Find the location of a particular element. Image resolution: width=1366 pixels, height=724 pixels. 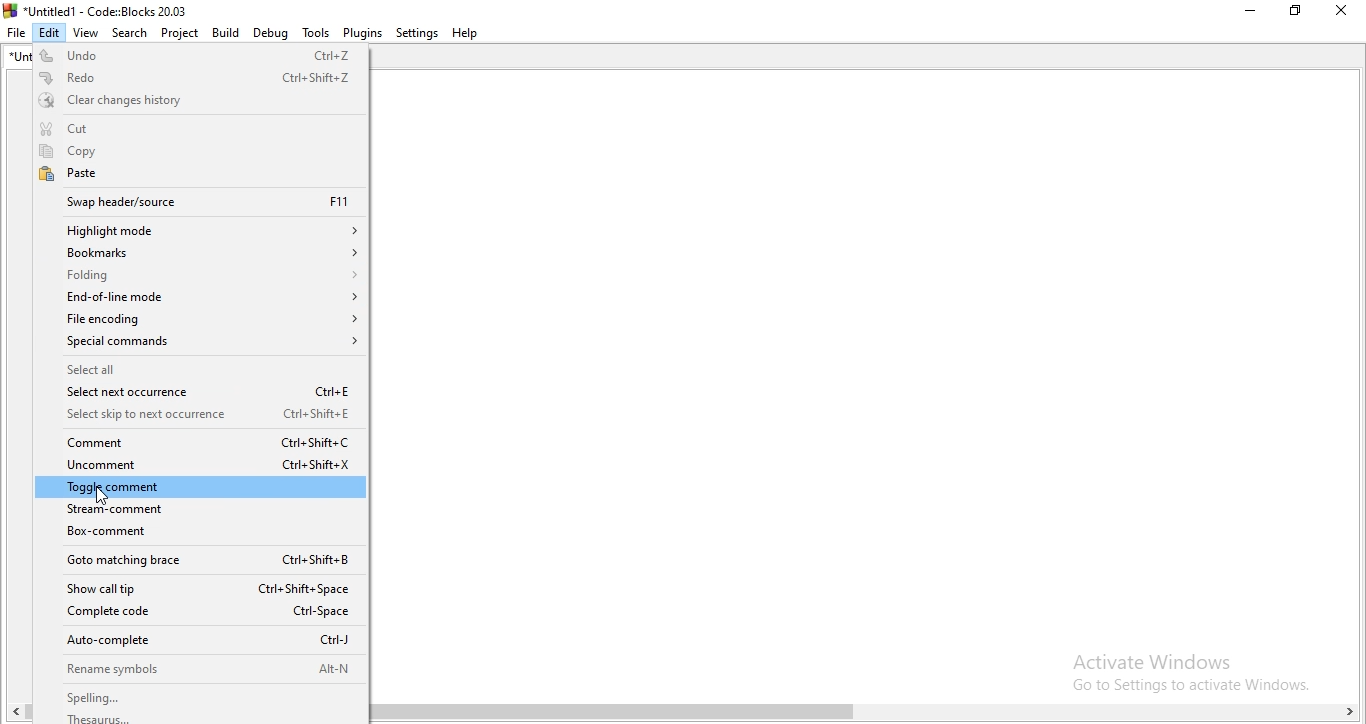

Stream-comment is located at coordinates (199, 509).